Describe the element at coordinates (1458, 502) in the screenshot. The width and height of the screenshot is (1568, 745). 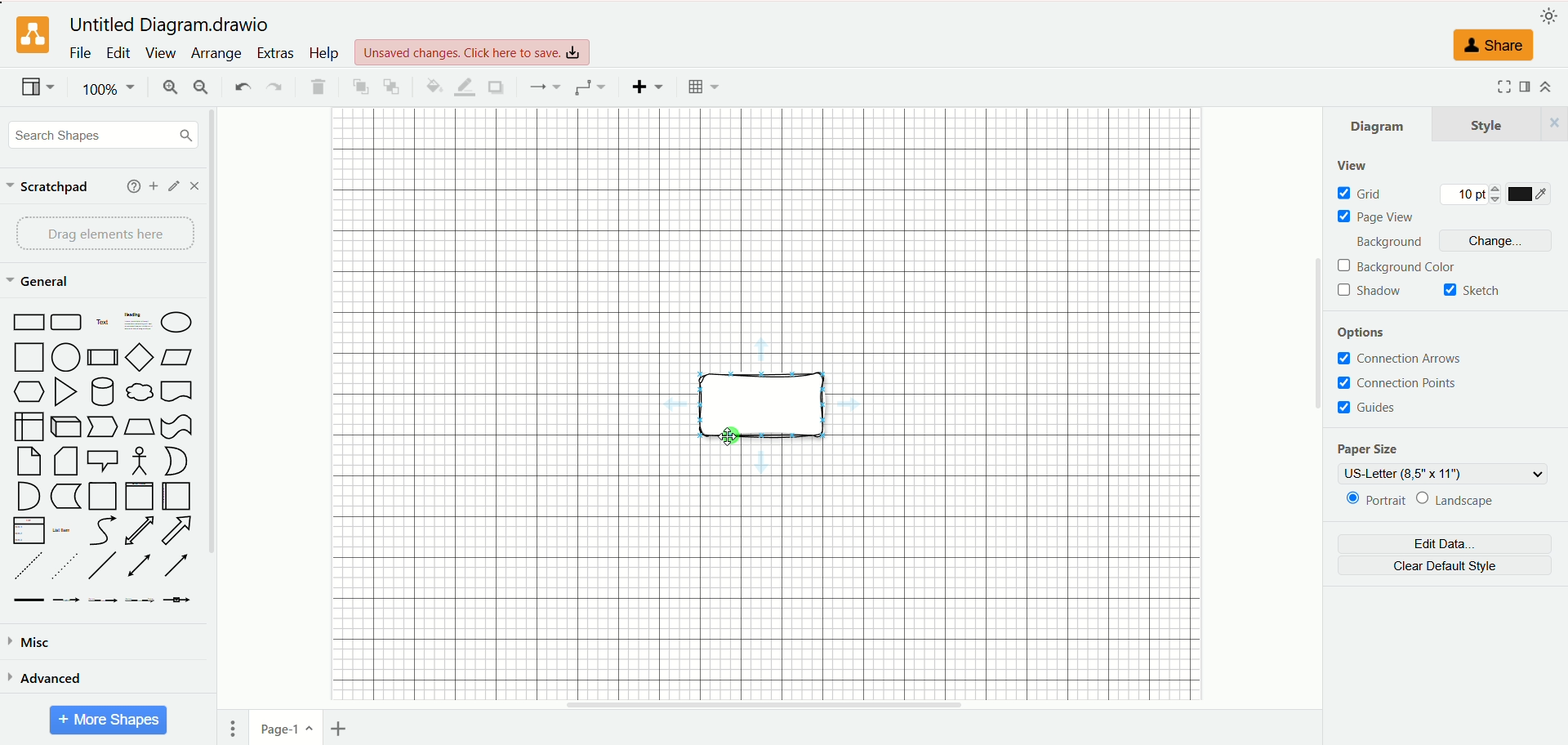
I see `landscape` at that location.